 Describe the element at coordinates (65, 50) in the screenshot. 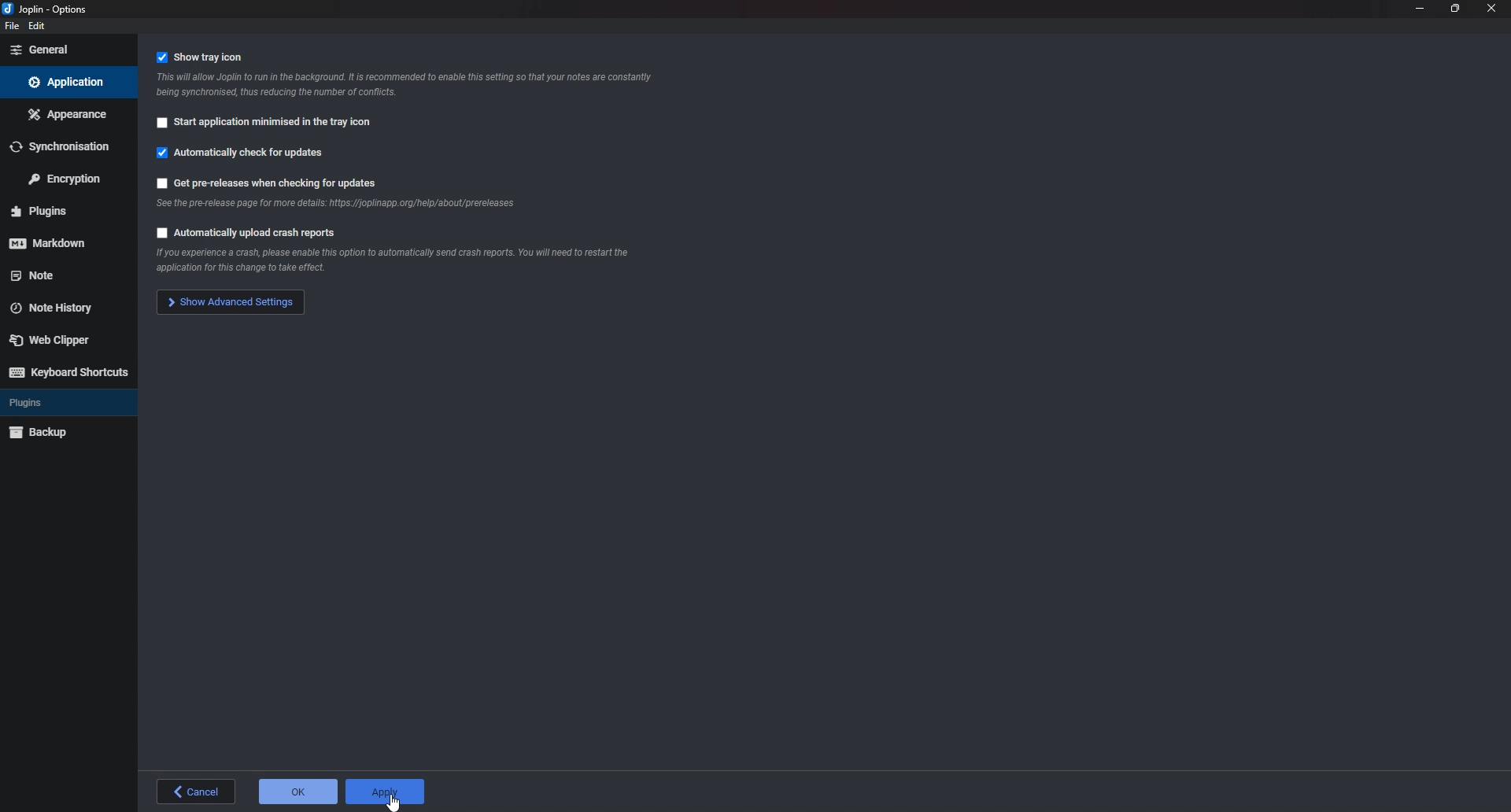

I see `General` at that location.